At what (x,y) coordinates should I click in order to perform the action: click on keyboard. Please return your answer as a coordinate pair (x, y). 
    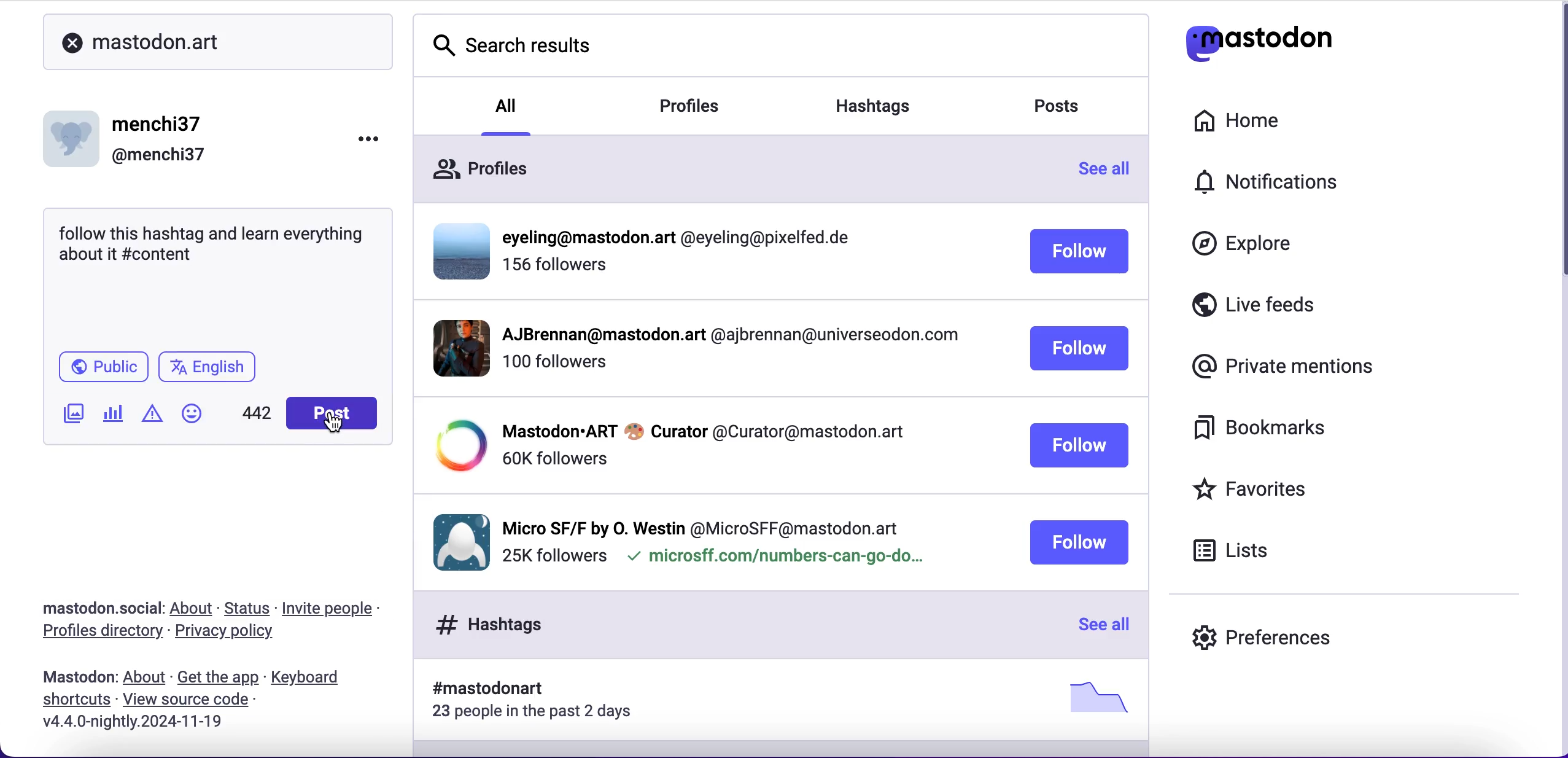
    Looking at the image, I should click on (309, 678).